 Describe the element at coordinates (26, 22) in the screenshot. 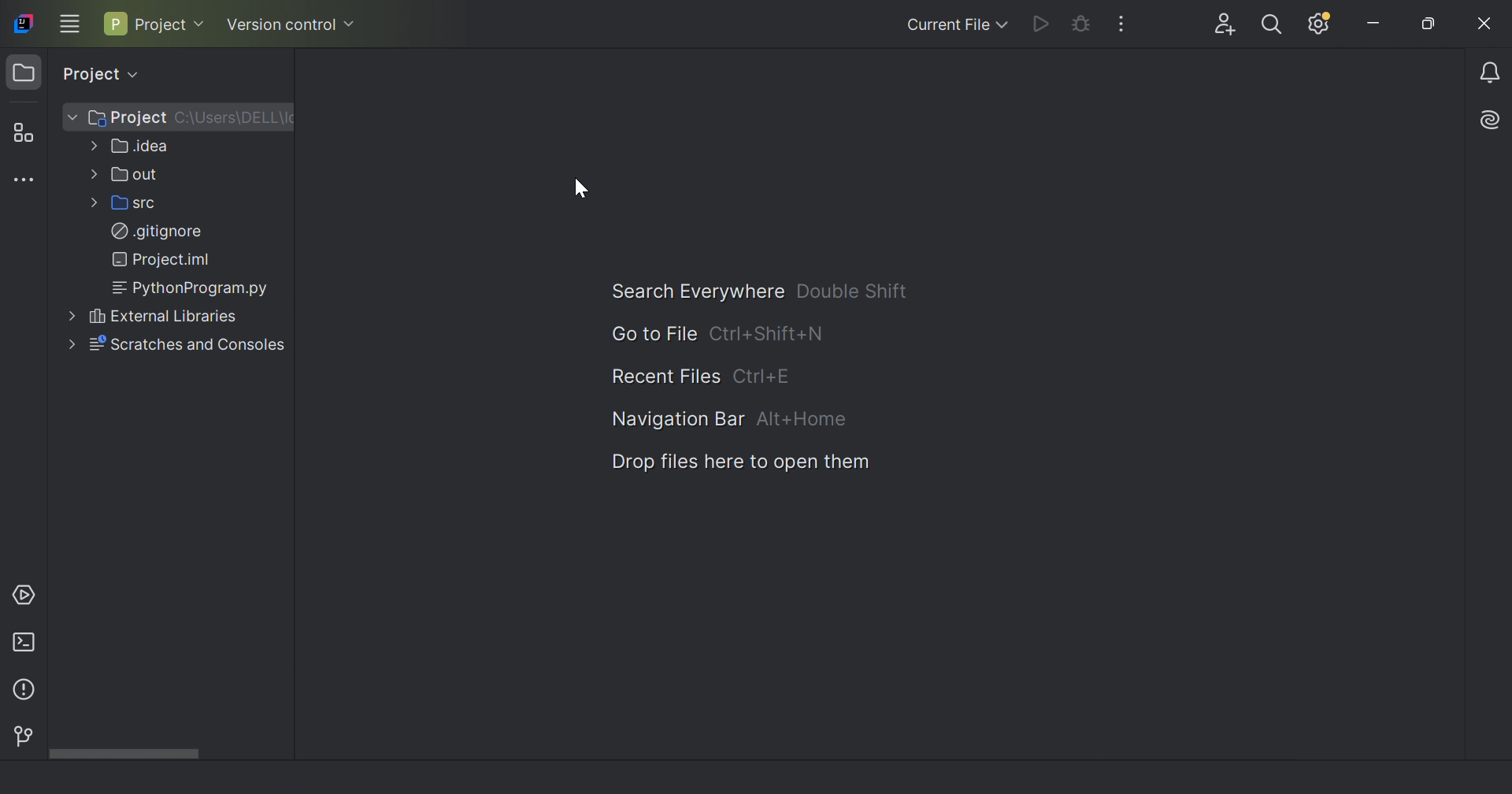

I see `IntelliJ IDEA icon` at that location.